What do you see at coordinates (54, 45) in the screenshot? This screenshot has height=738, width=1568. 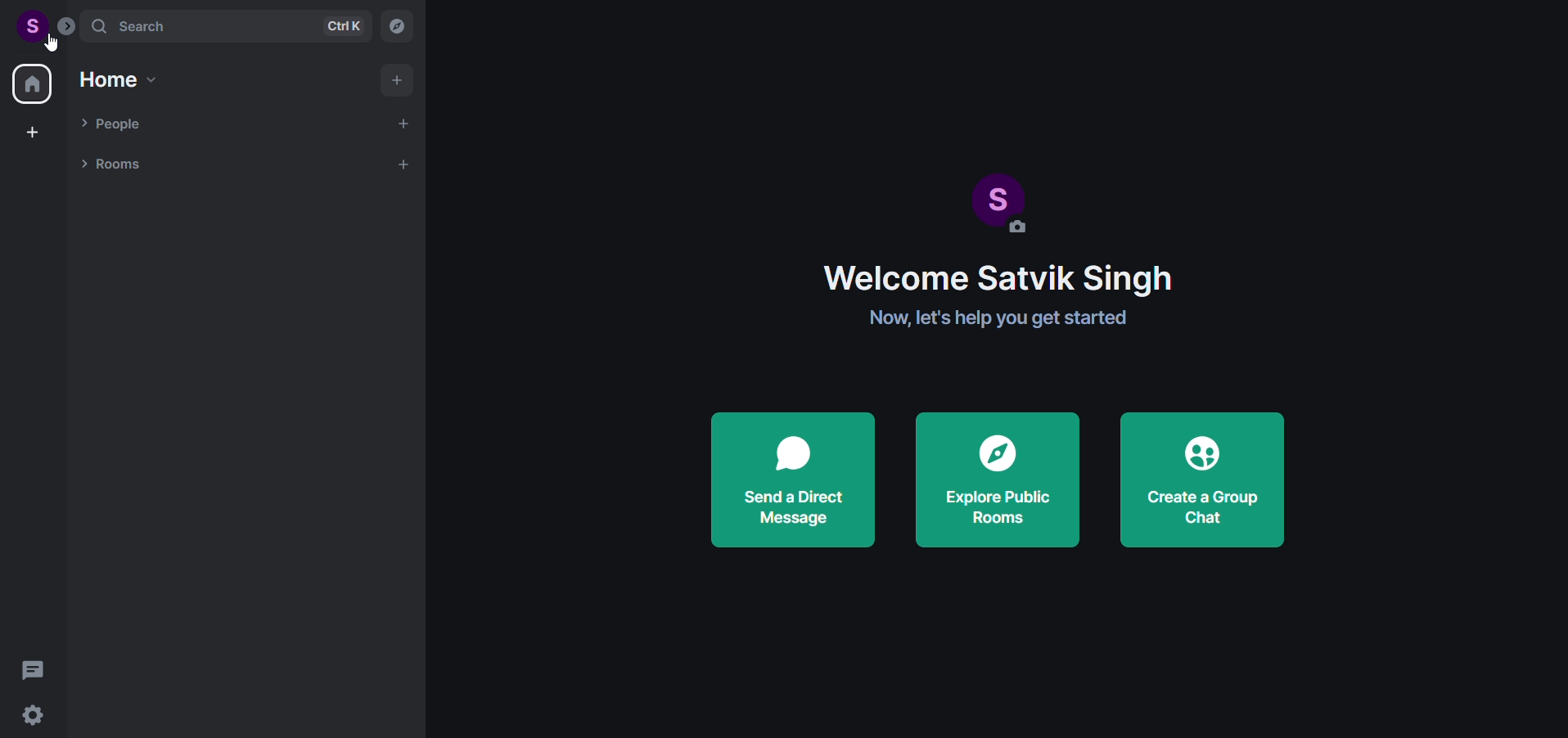 I see `Cursor` at bounding box center [54, 45].